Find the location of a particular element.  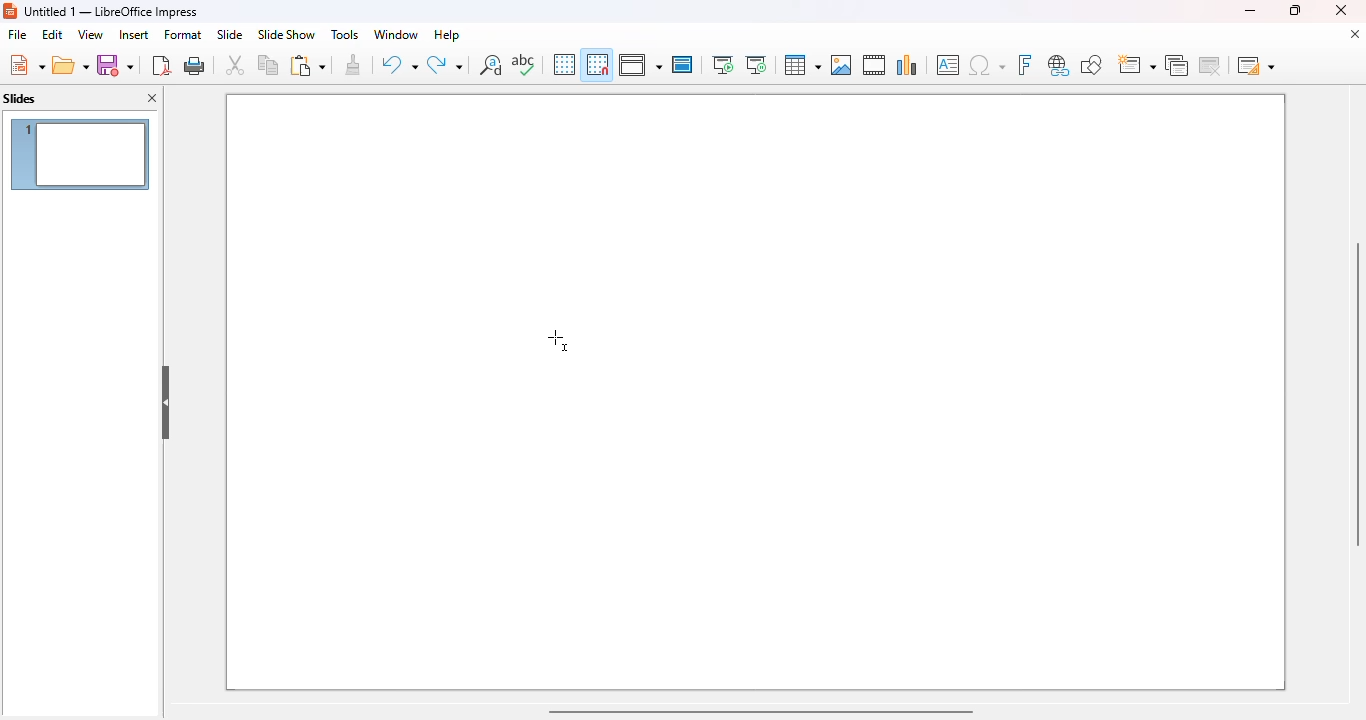

insert text box is located at coordinates (948, 65).